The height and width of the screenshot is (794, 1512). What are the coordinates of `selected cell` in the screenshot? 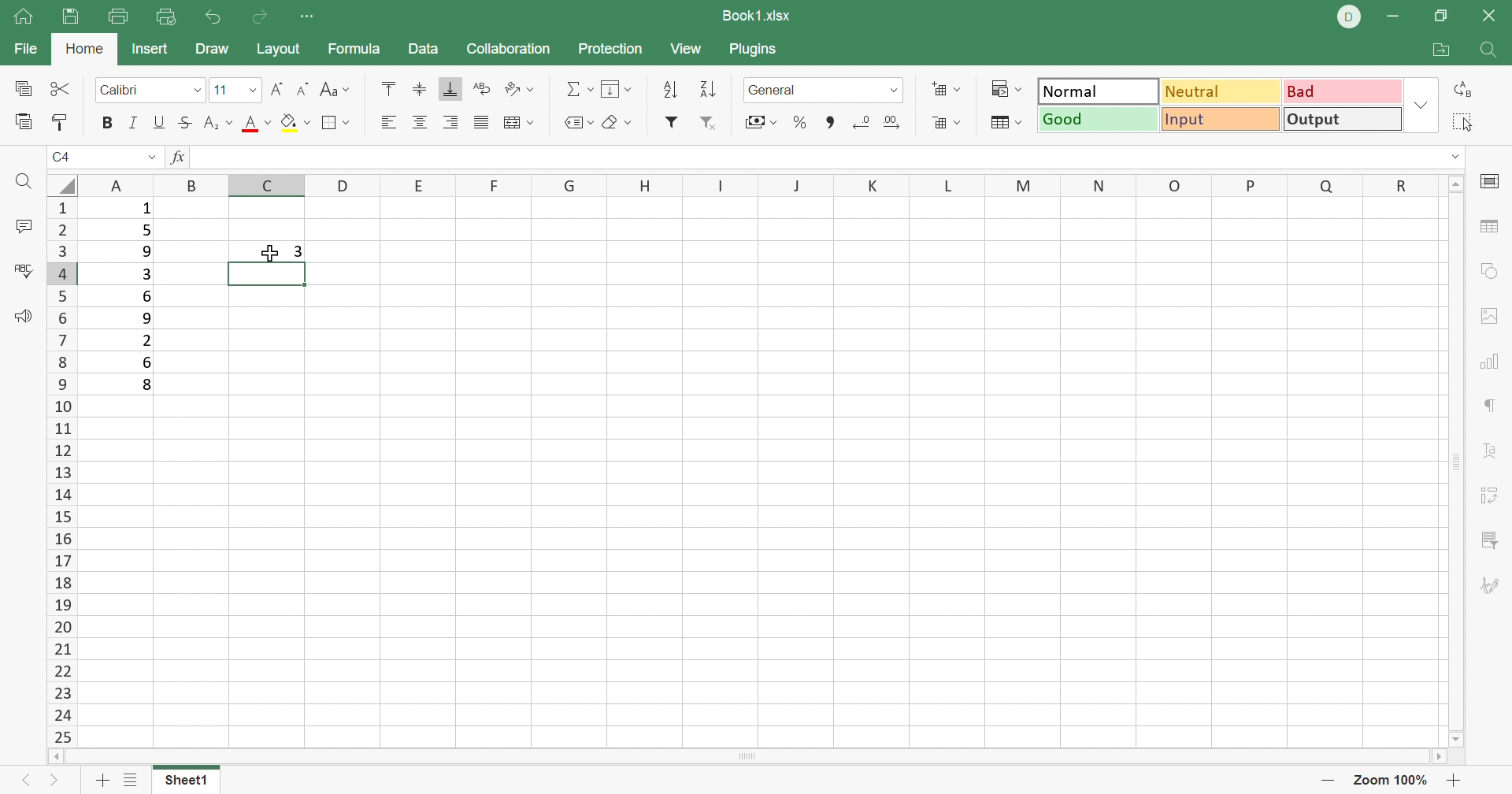 It's located at (265, 274).